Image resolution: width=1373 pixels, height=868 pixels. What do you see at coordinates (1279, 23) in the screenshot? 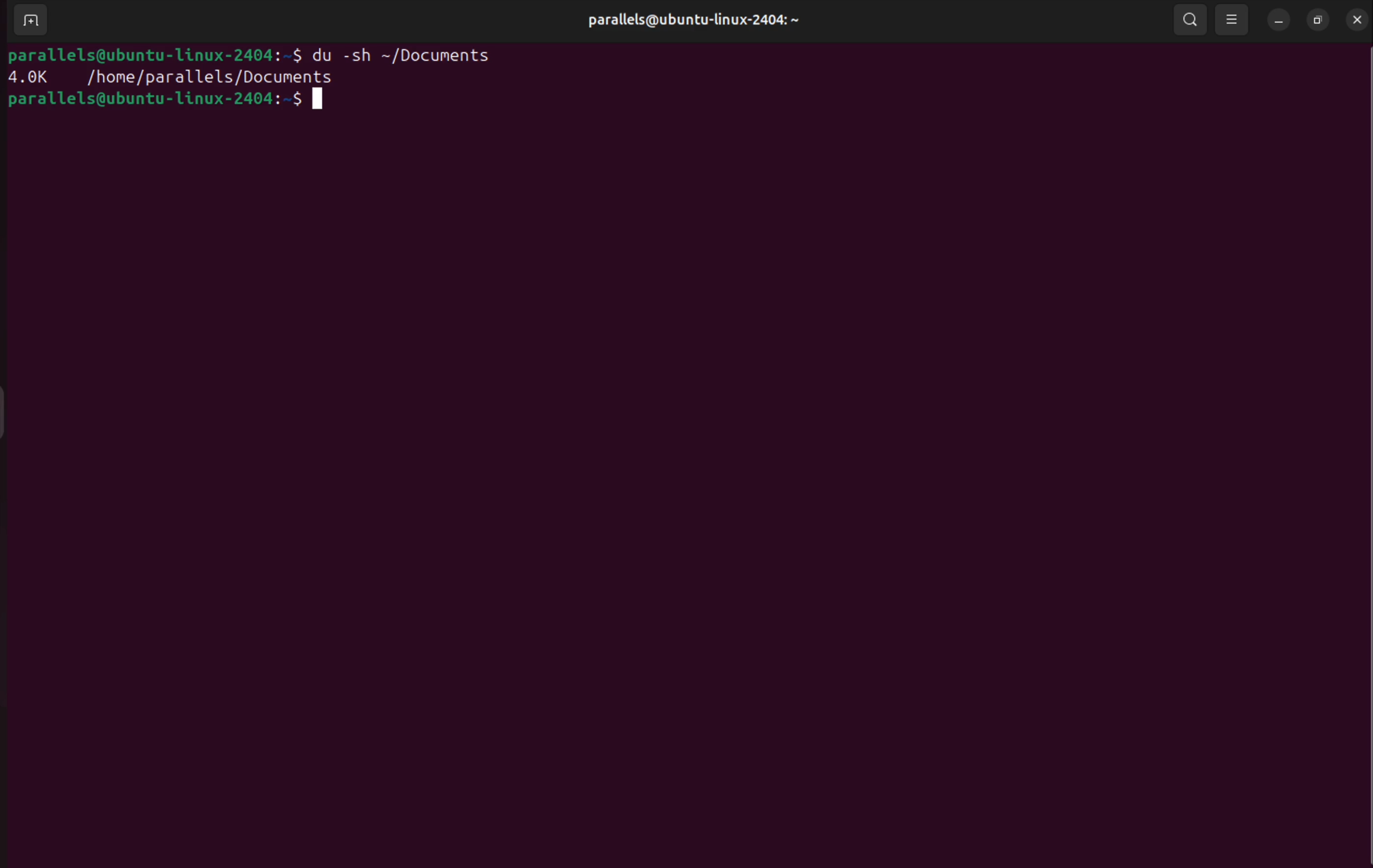
I see `minimize` at bounding box center [1279, 23].